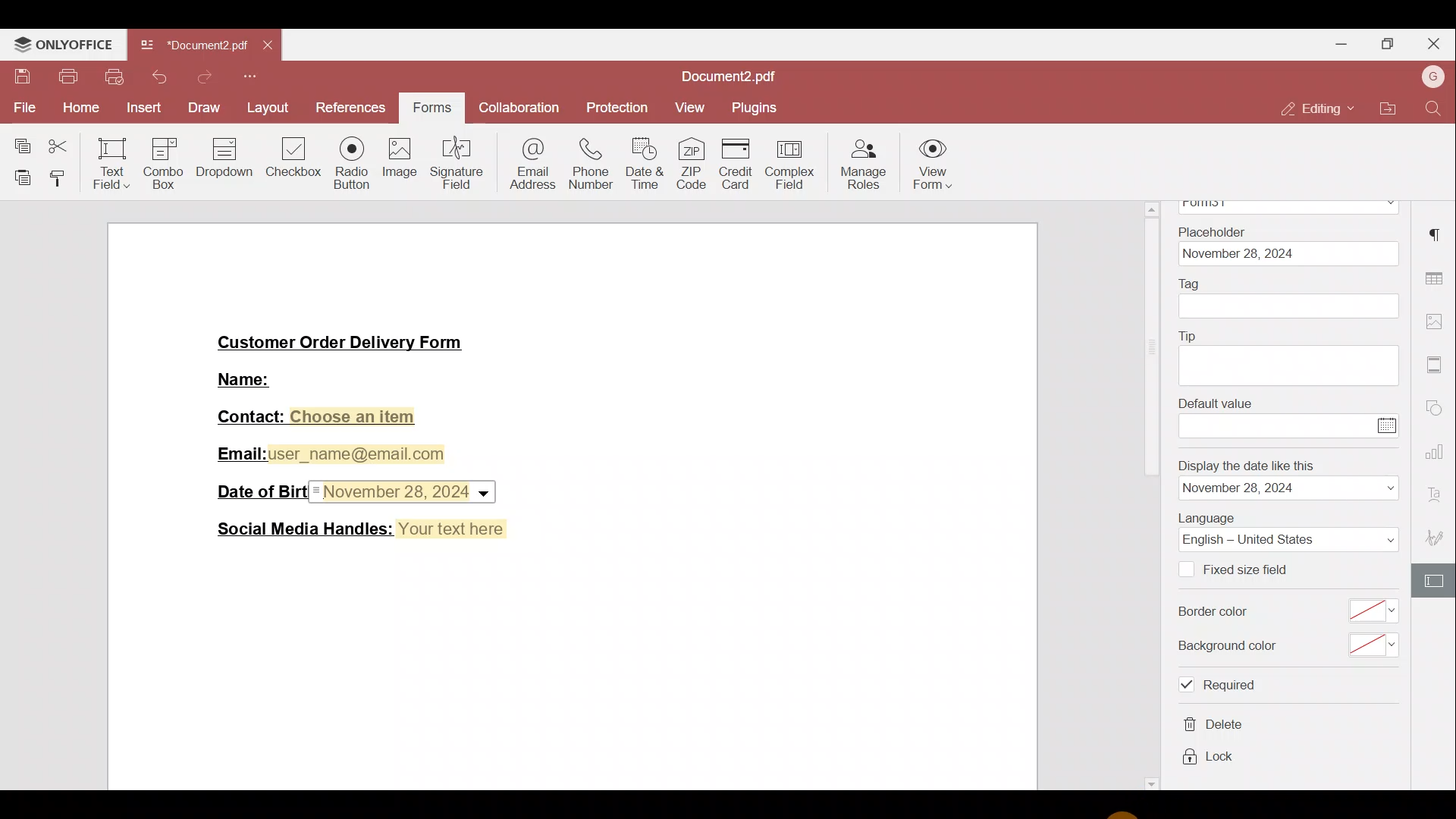 This screenshot has width=1456, height=819. What do you see at coordinates (516, 109) in the screenshot?
I see `Collaboration` at bounding box center [516, 109].